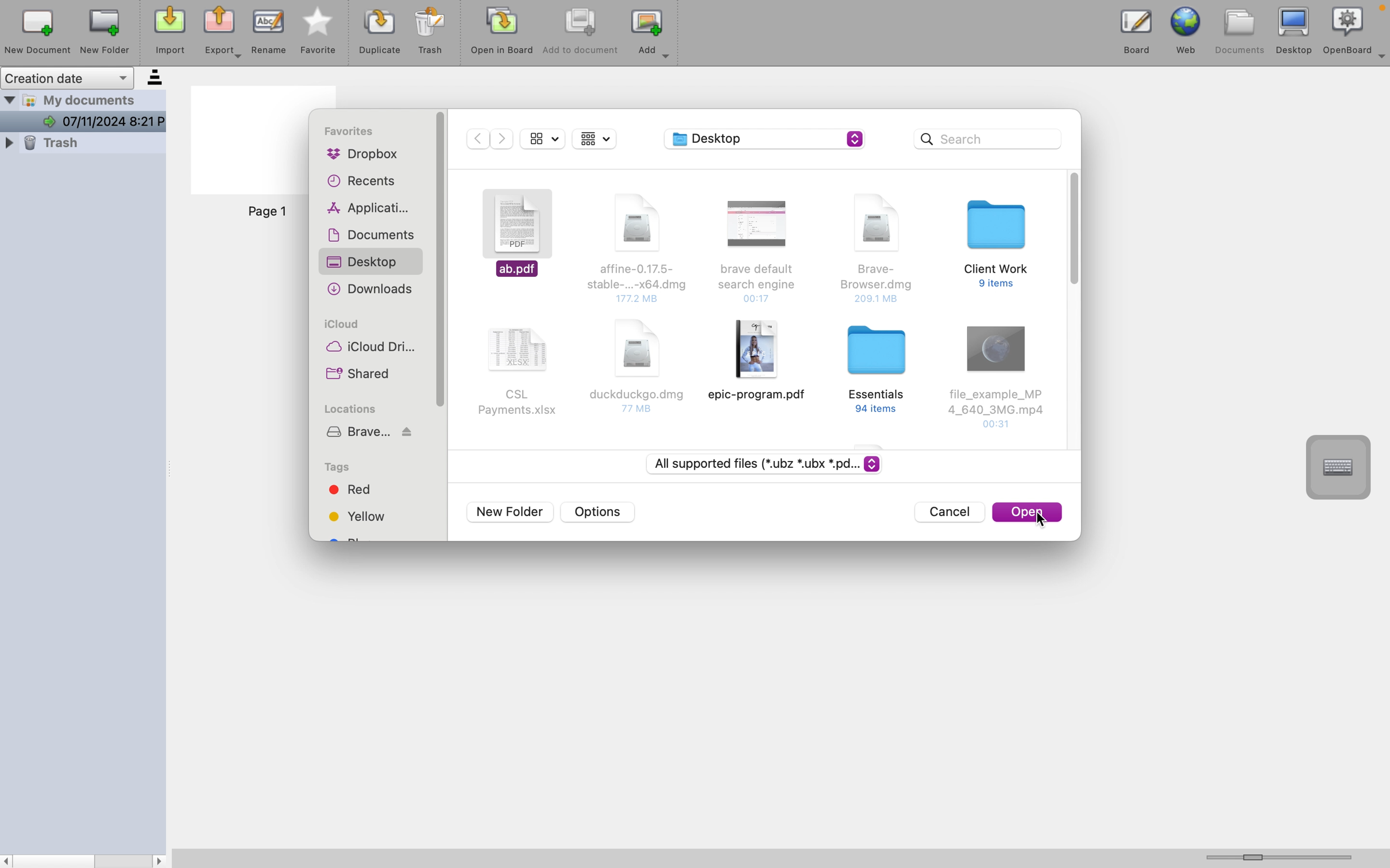 Image resolution: width=1390 pixels, height=868 pixels. I want to click on more options, so click(1379, 61).